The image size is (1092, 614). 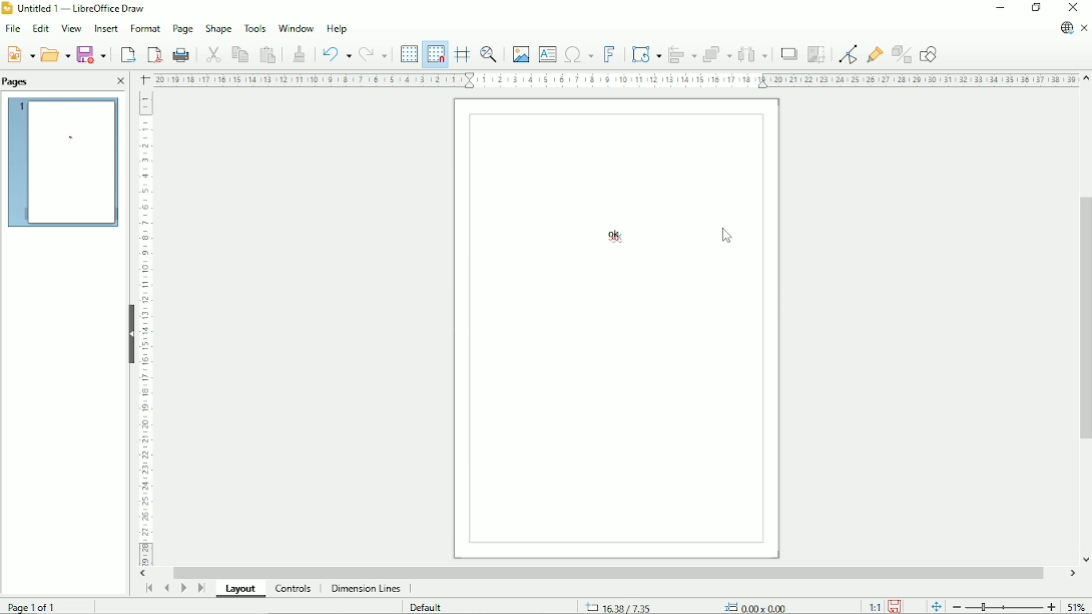 What do you see at coordinates (819, 54) in the screenshot?
I see `Crop image` at bounding box center [819, 54].